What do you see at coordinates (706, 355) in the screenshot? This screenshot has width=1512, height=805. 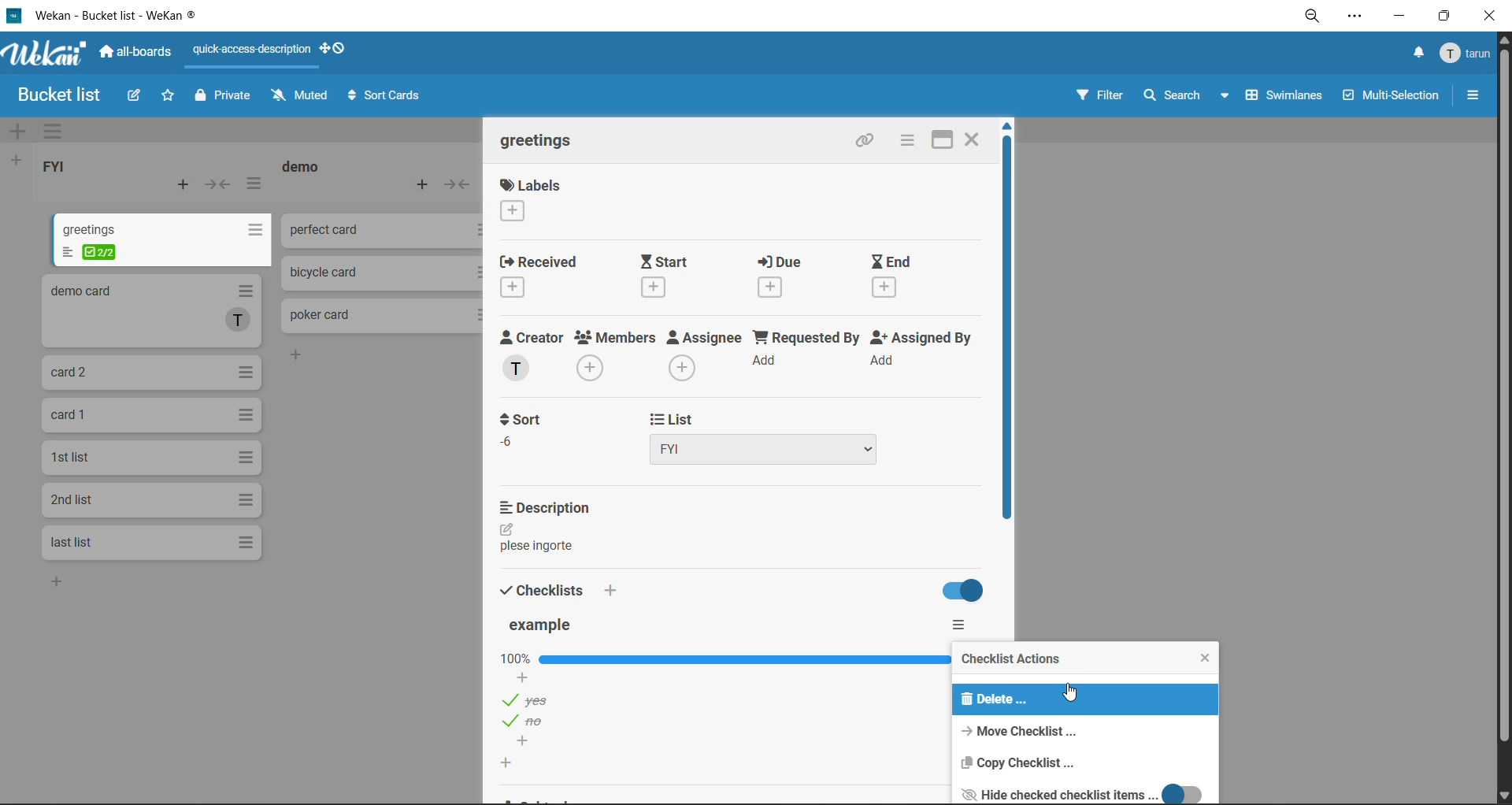 I see `assignee` at bounding box center [706, 355].